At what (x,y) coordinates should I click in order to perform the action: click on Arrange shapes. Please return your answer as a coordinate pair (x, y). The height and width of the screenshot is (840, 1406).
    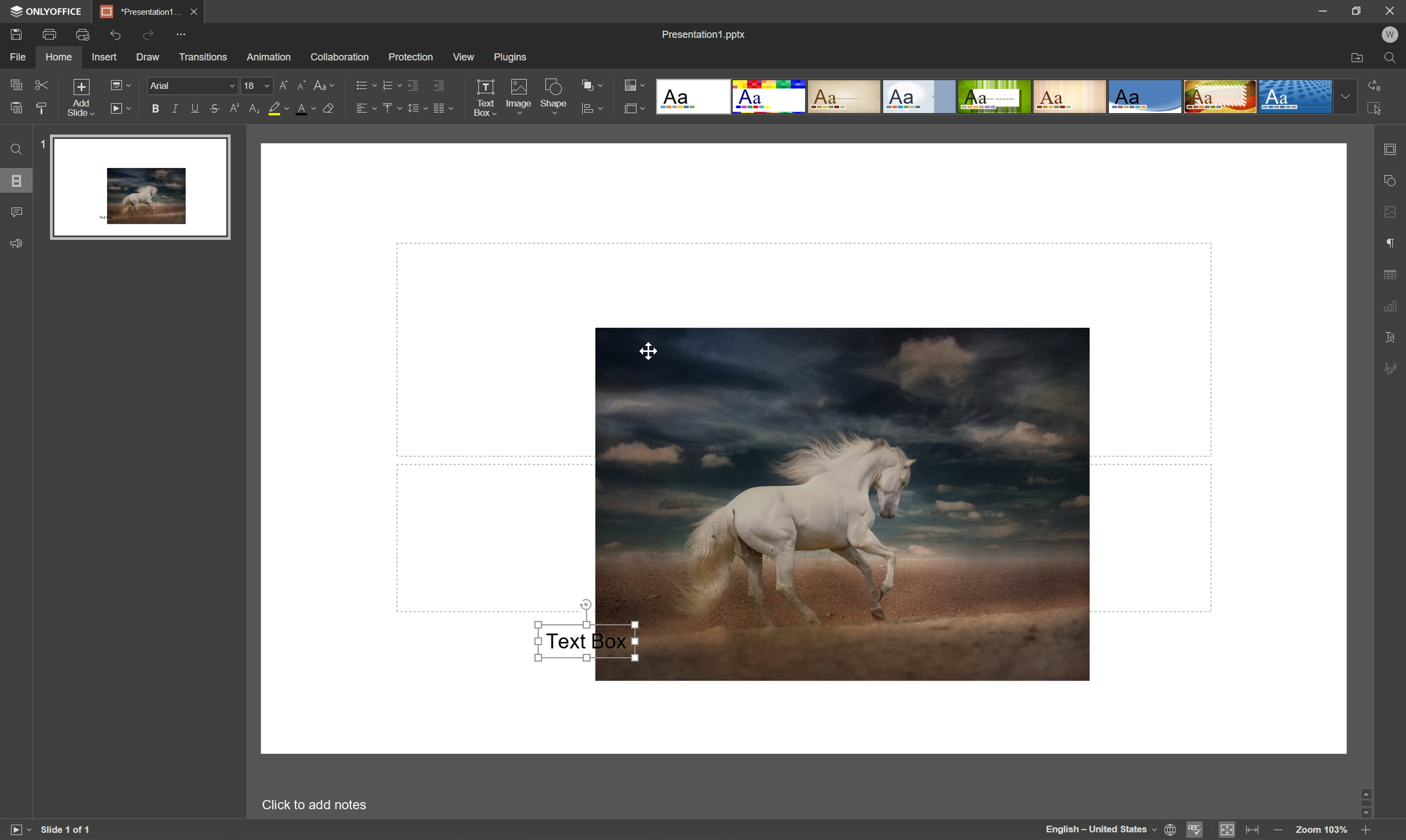
    Looking at the image, I should click on (591, 84).